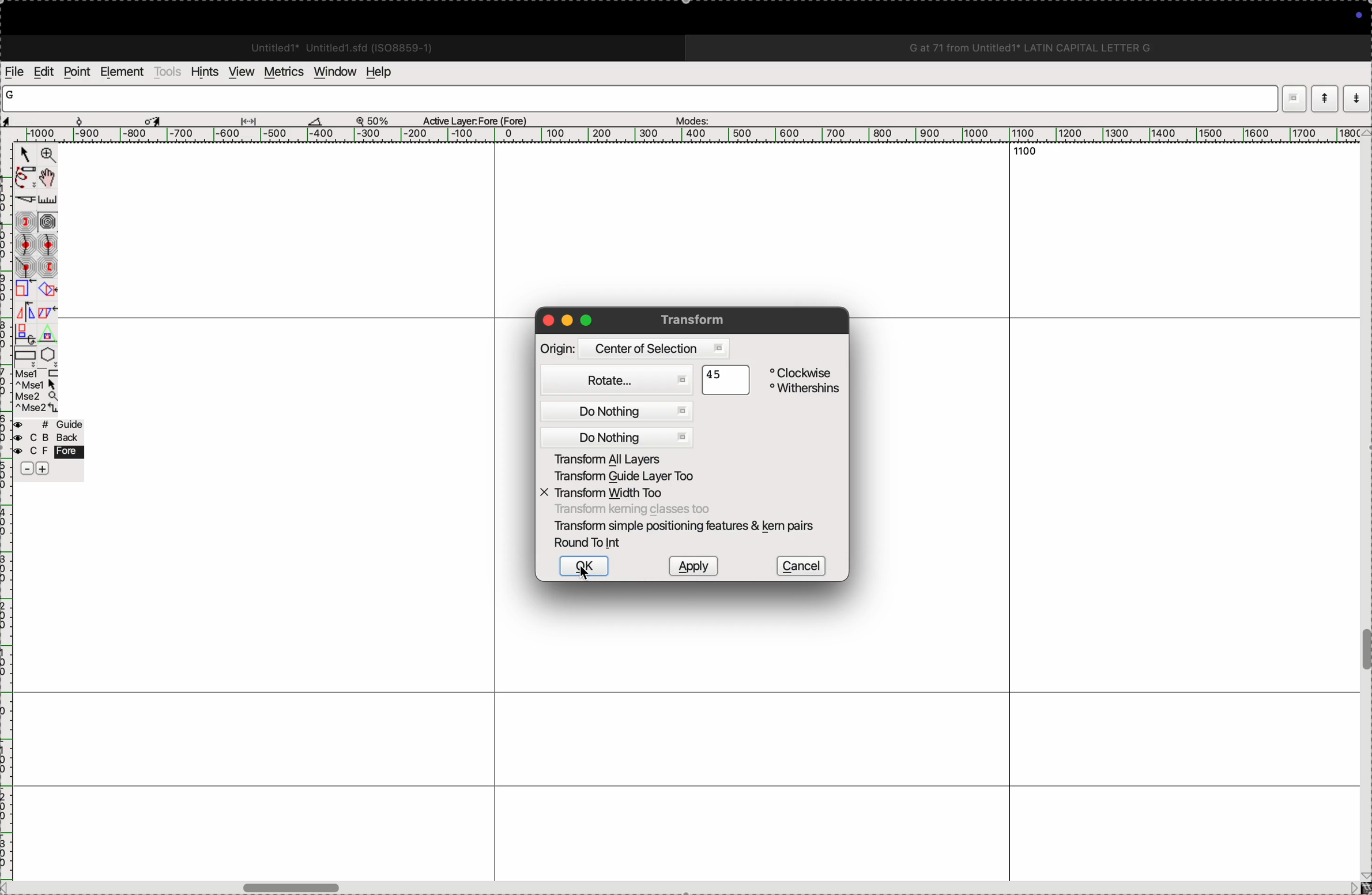 Image resolution: width=1372 pixels, height=895 pixels. Describe the element at coordinates (8, 689) in the screenshot. I see `ruler` at that location.